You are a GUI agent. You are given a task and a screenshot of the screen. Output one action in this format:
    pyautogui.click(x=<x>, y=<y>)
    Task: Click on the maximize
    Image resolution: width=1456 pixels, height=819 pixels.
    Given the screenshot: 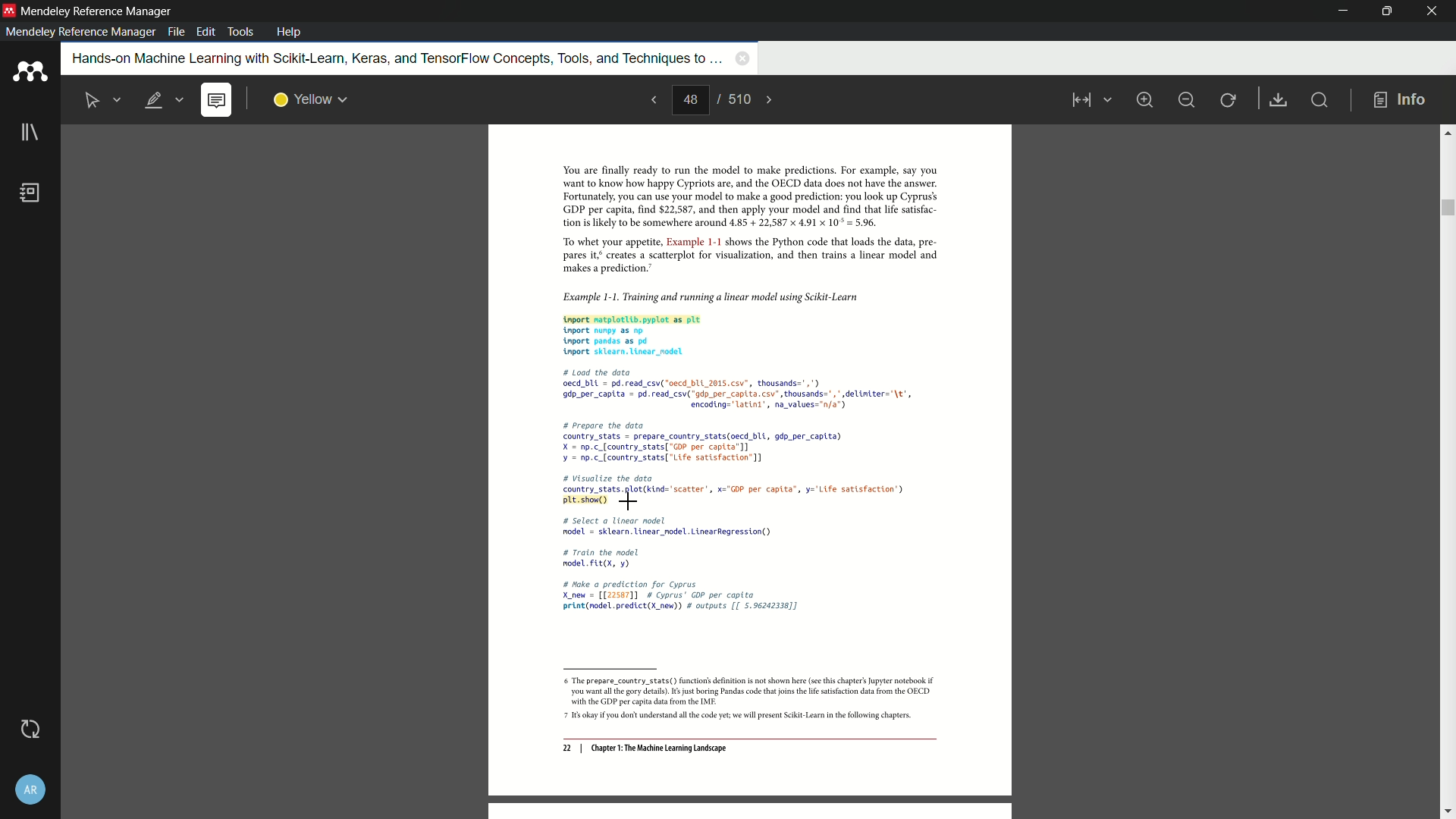 What is the action you would take?
    pyautogui.click(x=1384, y=11)
    